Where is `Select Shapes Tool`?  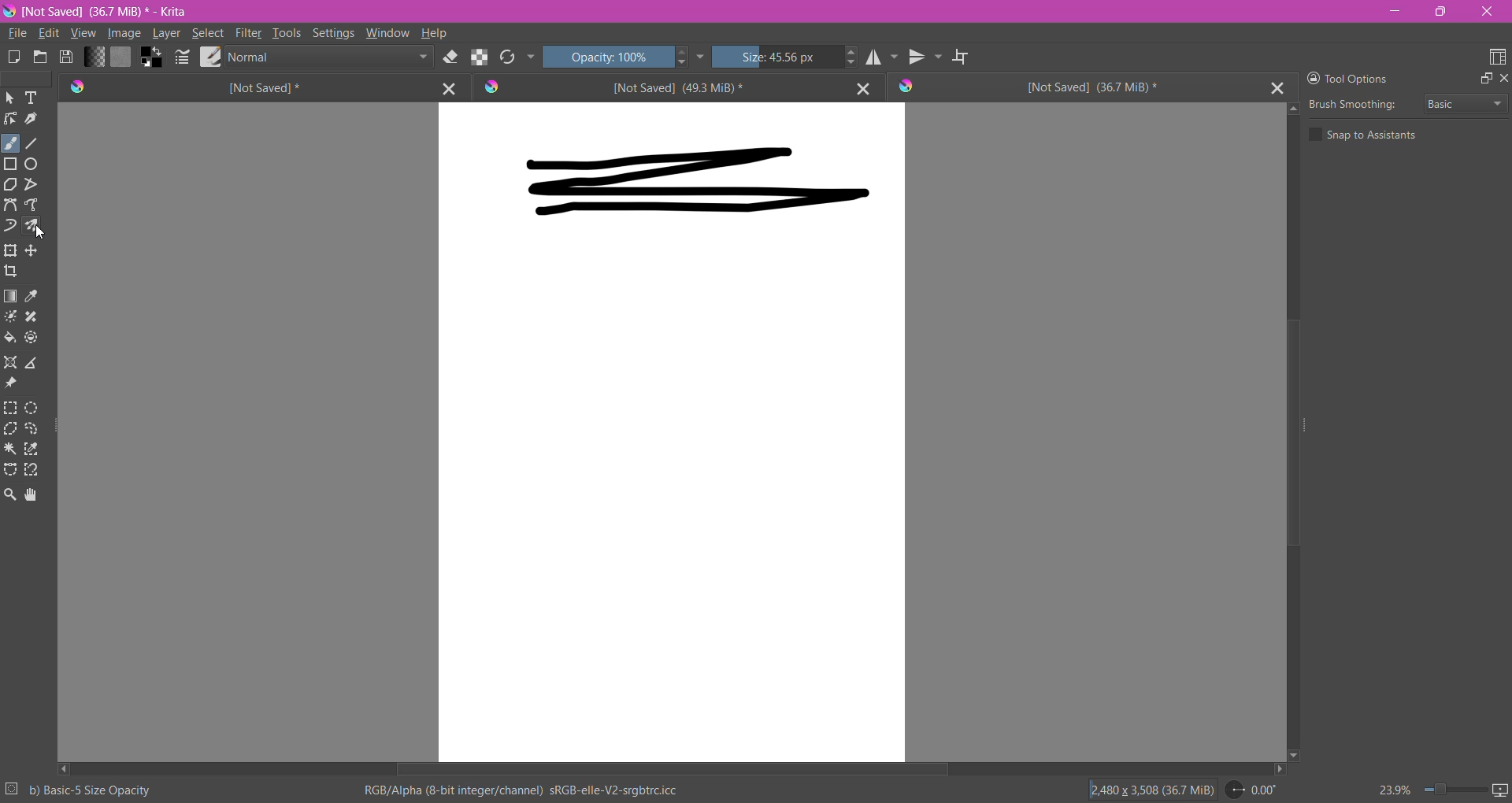 Select Shapes Tool is located at coordinates (10, 98).